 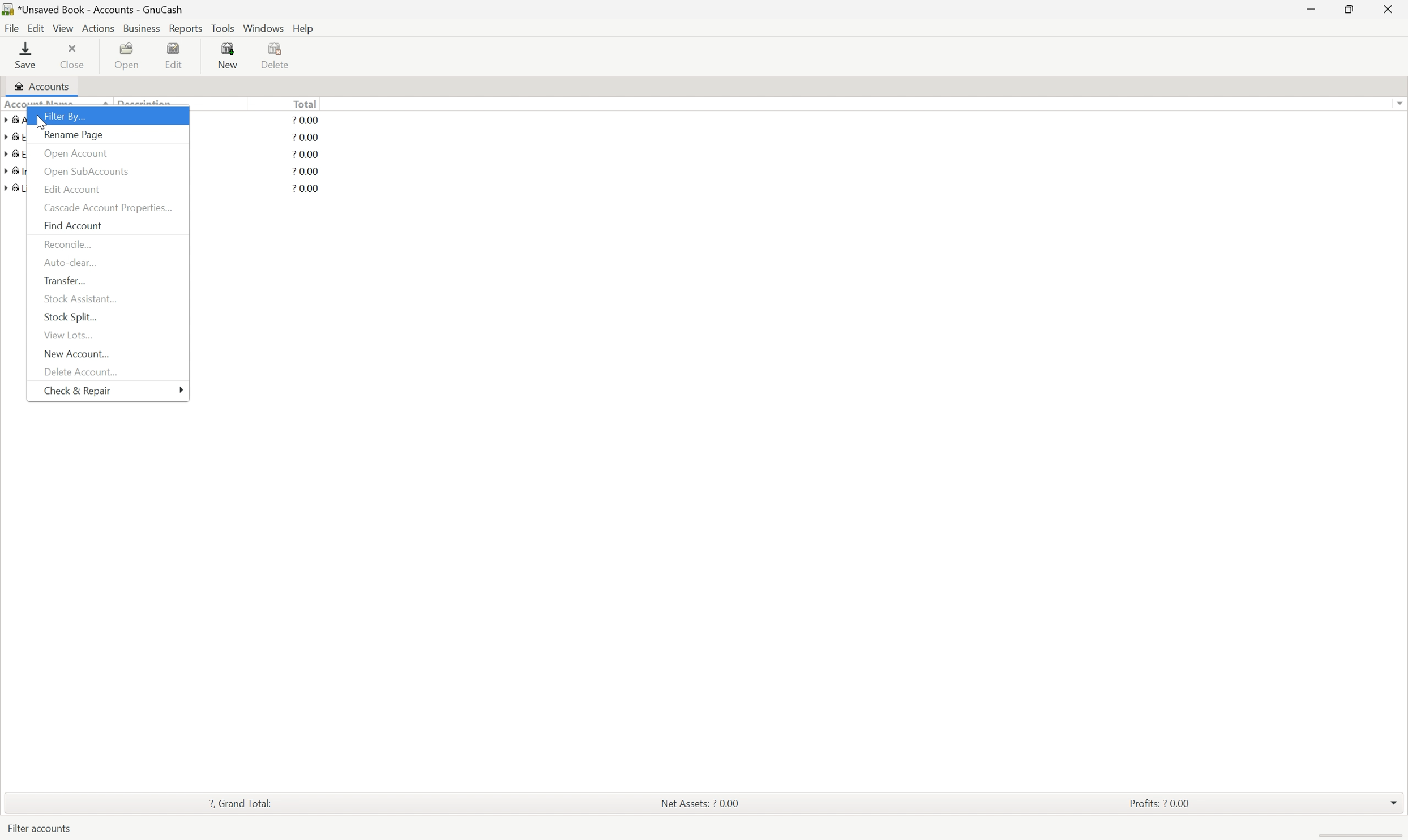 I want to click on Restore down, so click(x=1353, y=8).